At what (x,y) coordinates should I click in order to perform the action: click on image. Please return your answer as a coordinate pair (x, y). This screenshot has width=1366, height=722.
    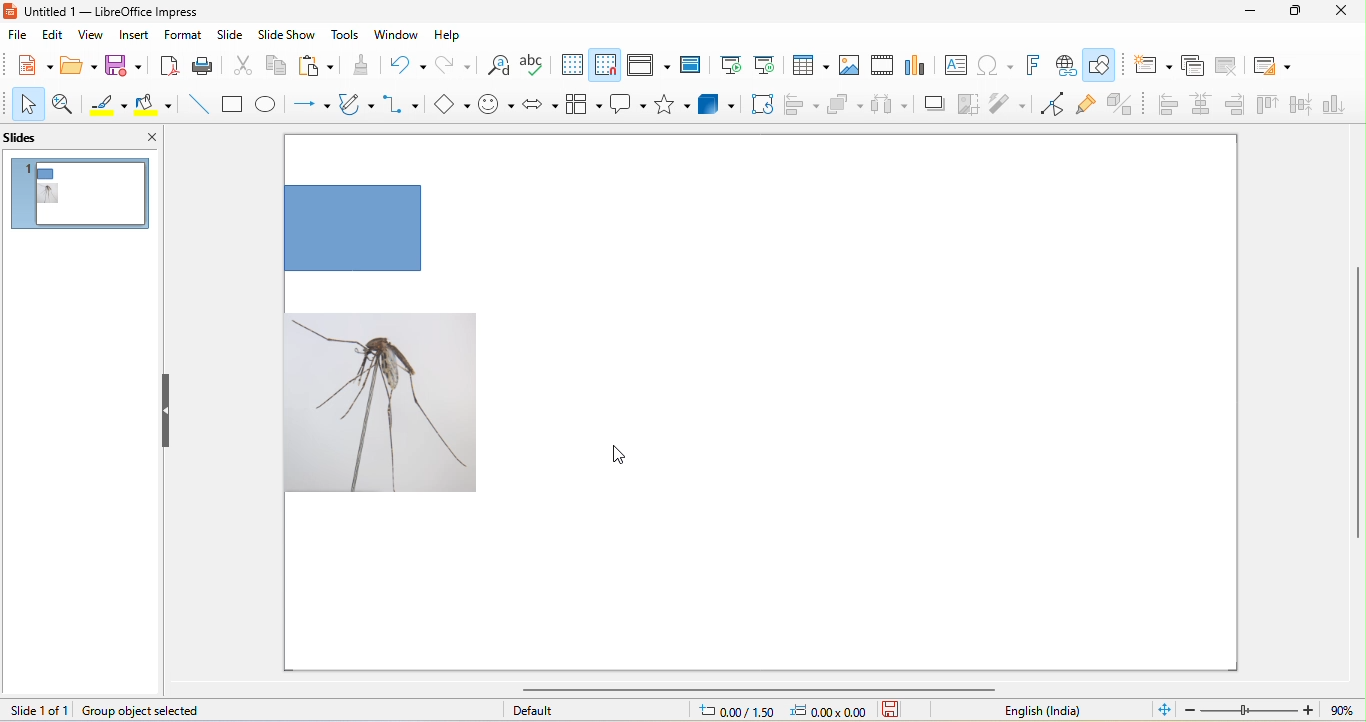
    Looking at the image, I should click on (850, 67).